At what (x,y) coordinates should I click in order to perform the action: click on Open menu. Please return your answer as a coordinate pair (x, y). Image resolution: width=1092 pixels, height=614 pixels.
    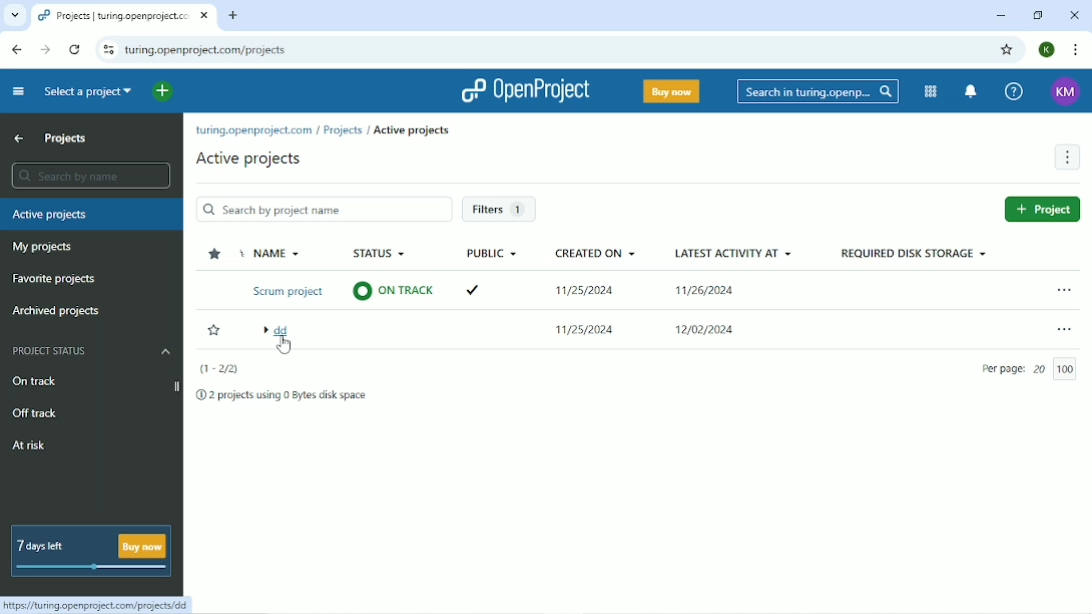
    Looking at the image, I should click on (1064, 330).